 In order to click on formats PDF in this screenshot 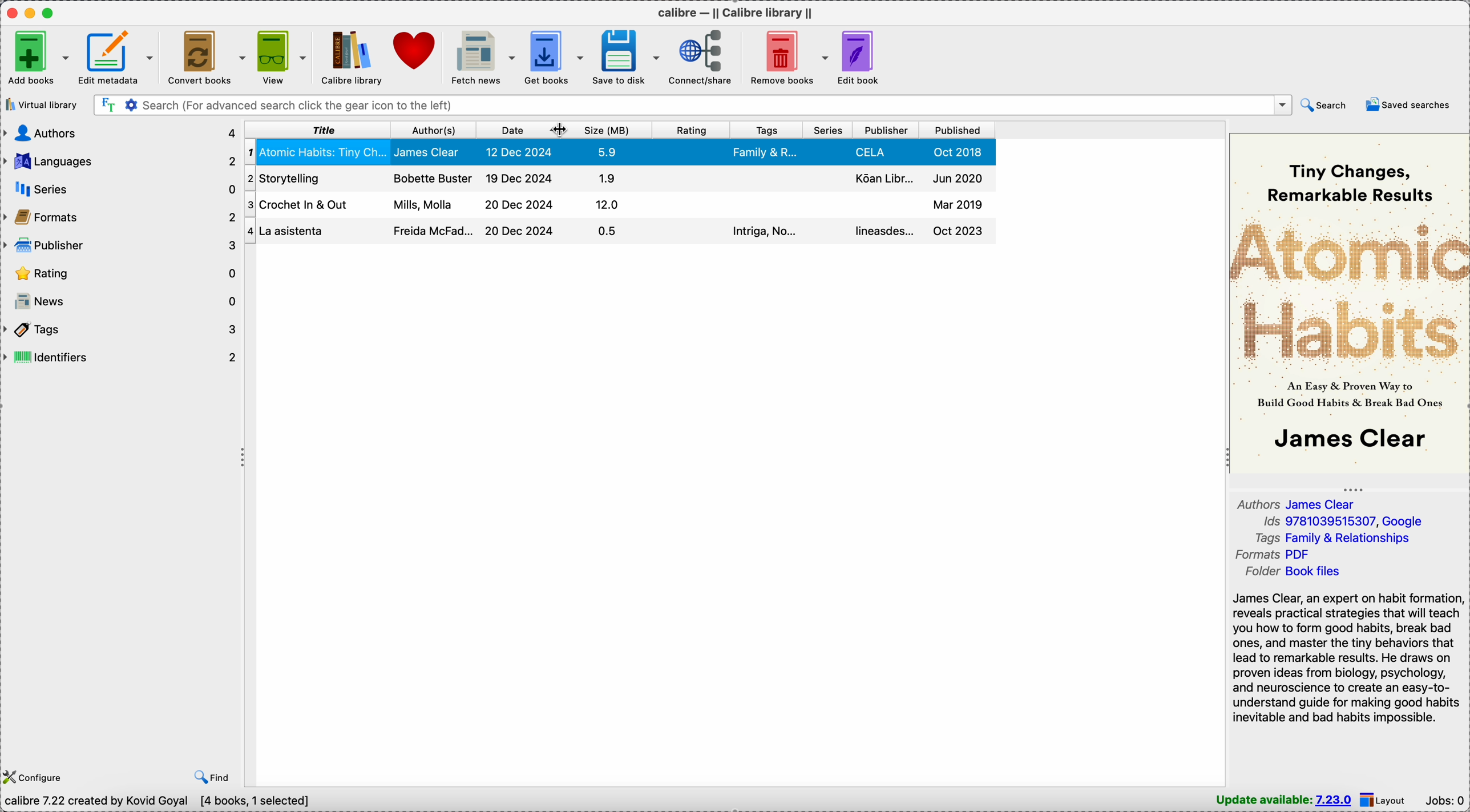, I will do `click(1269, 554)`.